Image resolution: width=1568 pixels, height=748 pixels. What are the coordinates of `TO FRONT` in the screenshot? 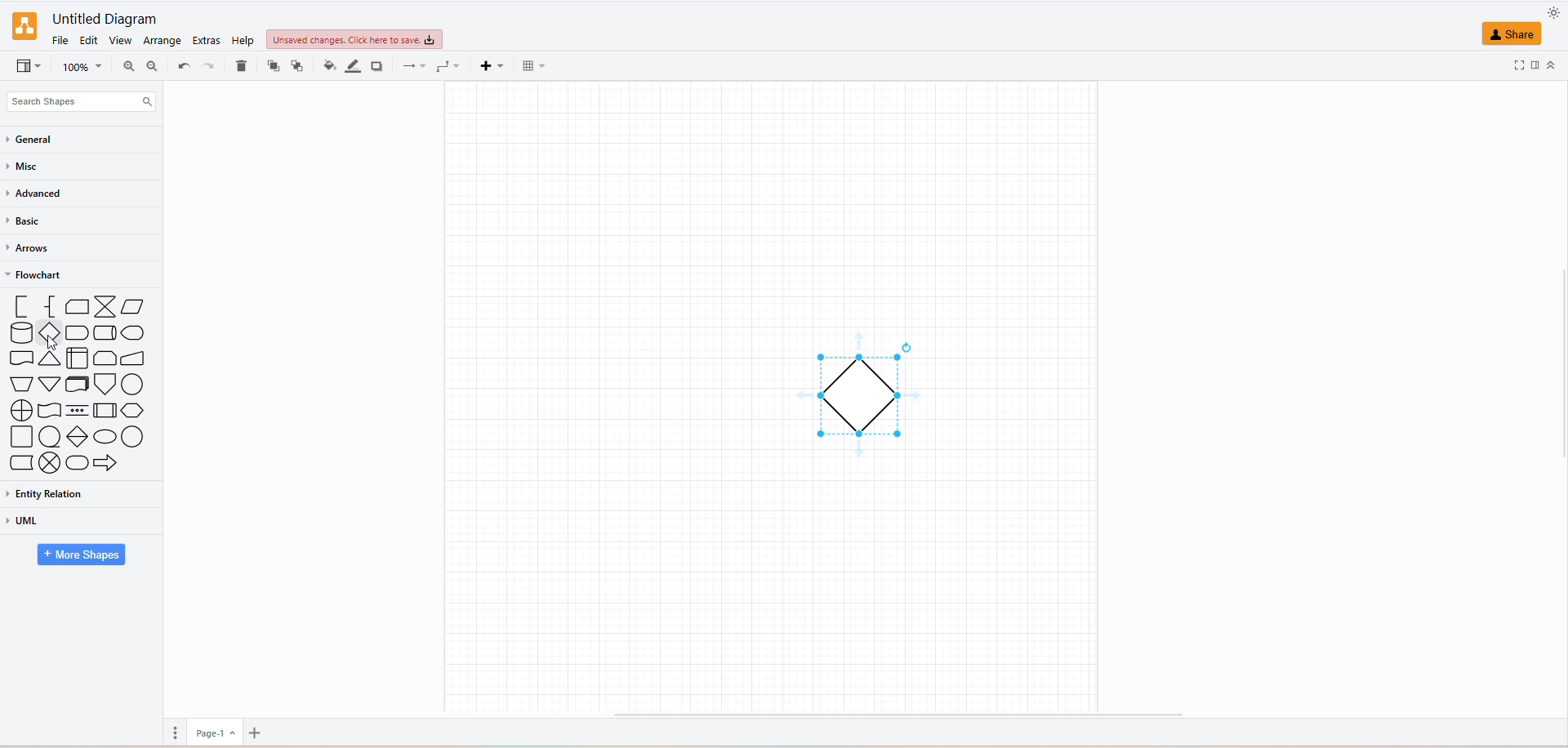 It's located at (271, 66).